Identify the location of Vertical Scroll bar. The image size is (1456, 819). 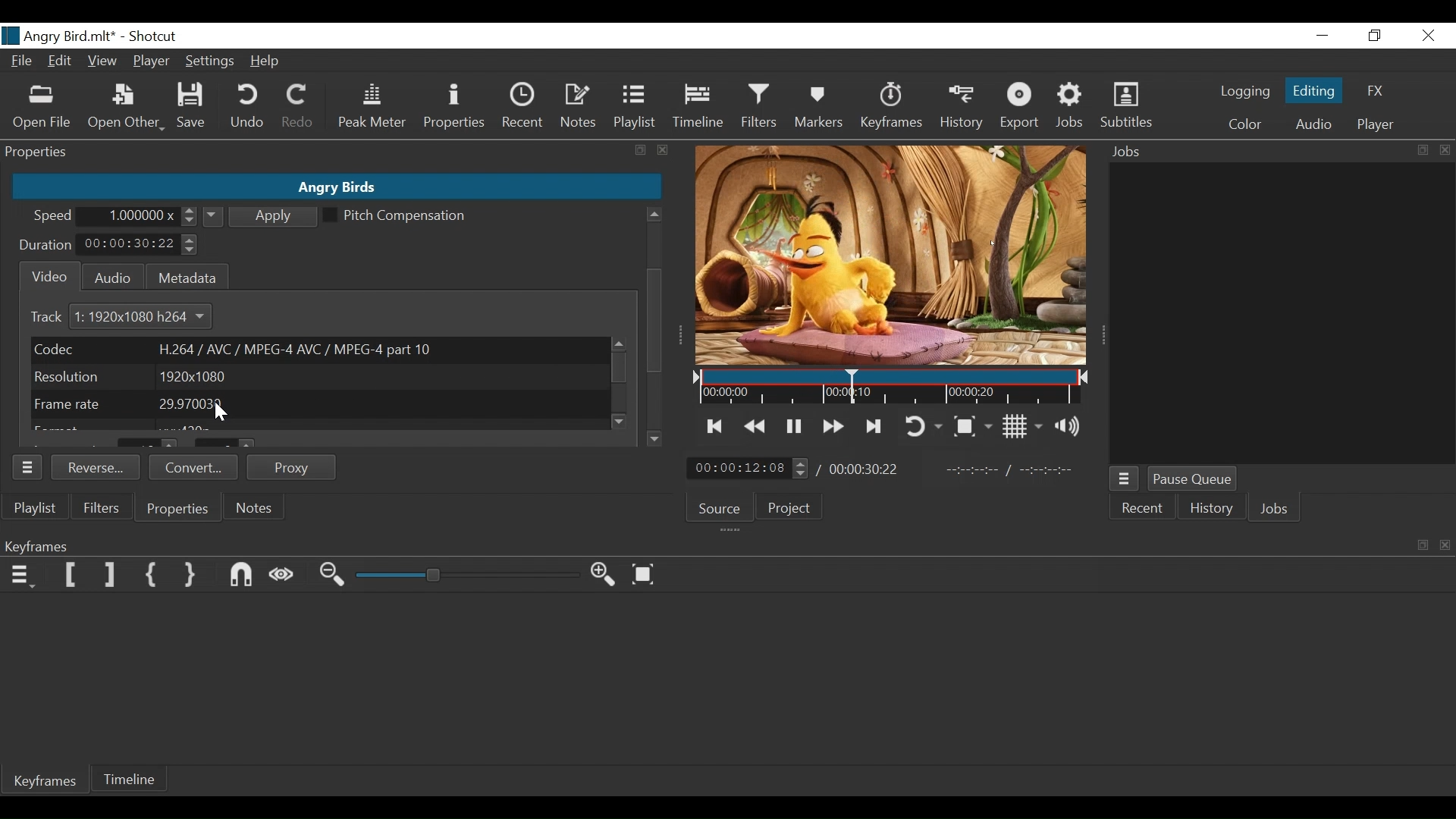
(620, 369).